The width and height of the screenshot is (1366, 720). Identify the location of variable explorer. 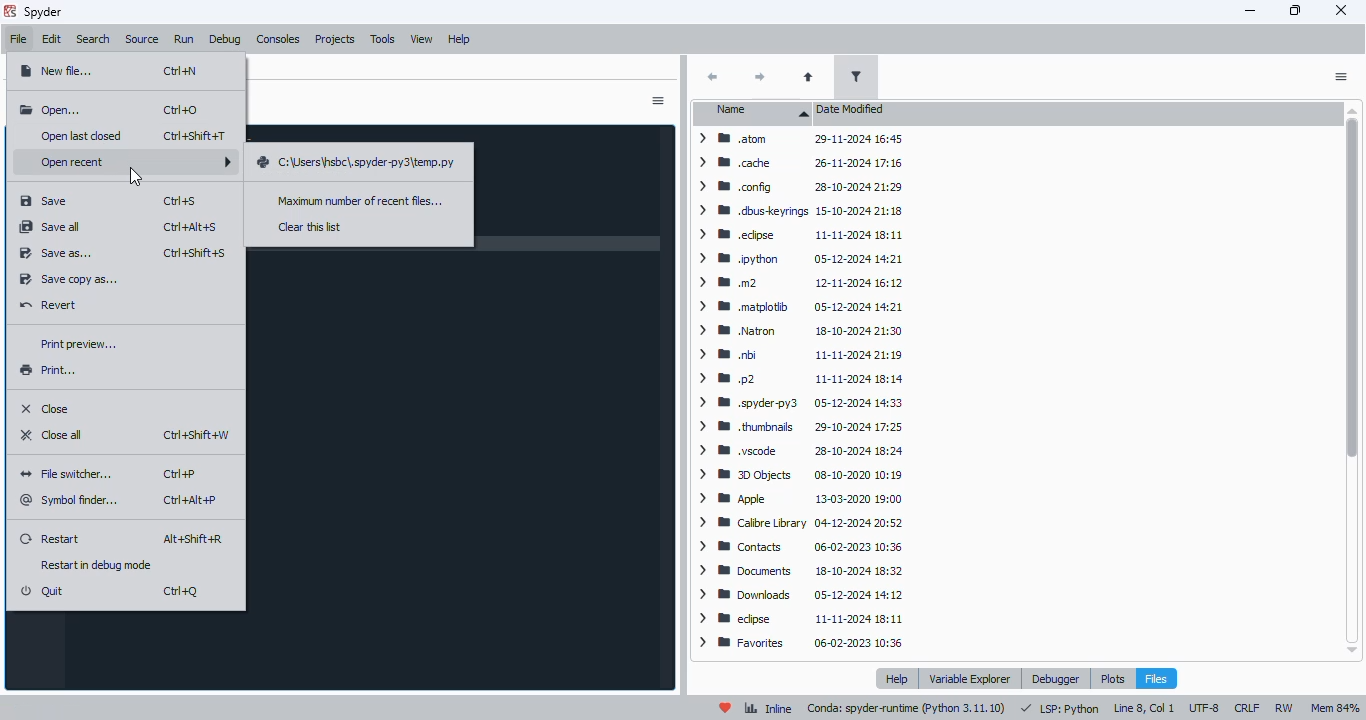
(971, 678).